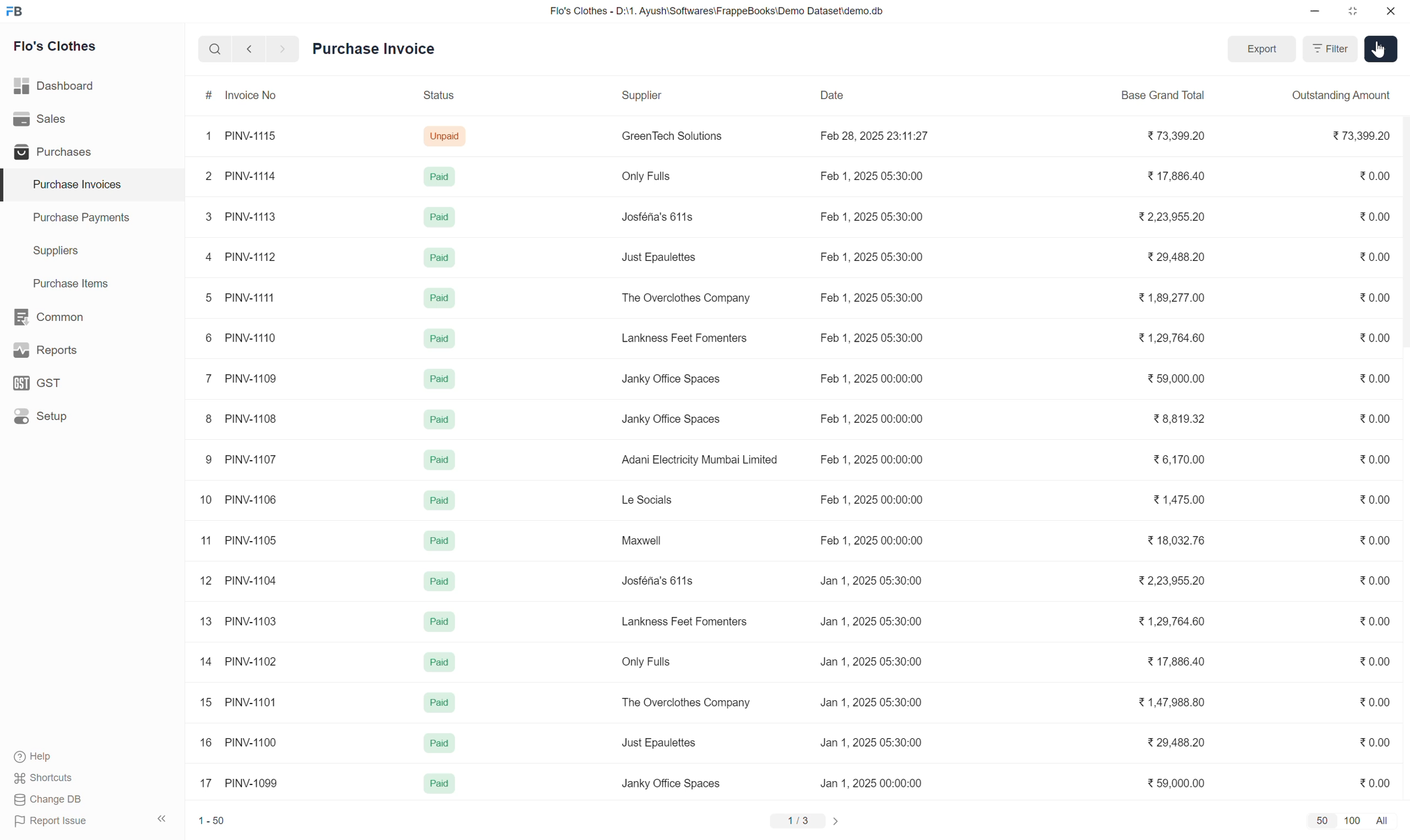 This screenshot has width=1410, height=840. Describe the element at coordinates (205, 178) in the screenshot. I see `2` at that location.